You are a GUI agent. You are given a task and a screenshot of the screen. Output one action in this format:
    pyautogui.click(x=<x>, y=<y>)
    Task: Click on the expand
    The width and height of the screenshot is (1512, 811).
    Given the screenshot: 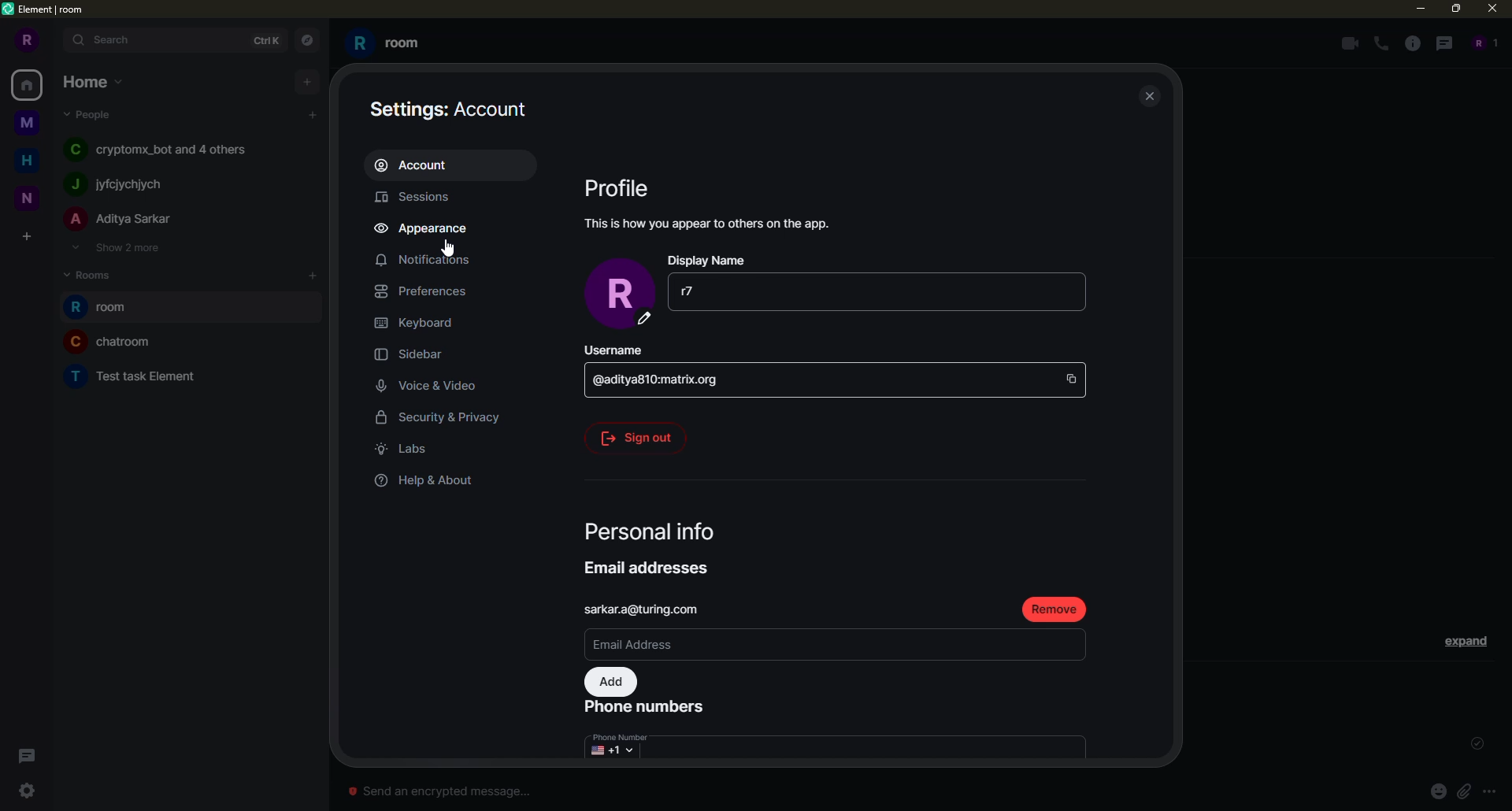 What is the action you would take?
    pyautogui.click(x=1466, y=640)
    